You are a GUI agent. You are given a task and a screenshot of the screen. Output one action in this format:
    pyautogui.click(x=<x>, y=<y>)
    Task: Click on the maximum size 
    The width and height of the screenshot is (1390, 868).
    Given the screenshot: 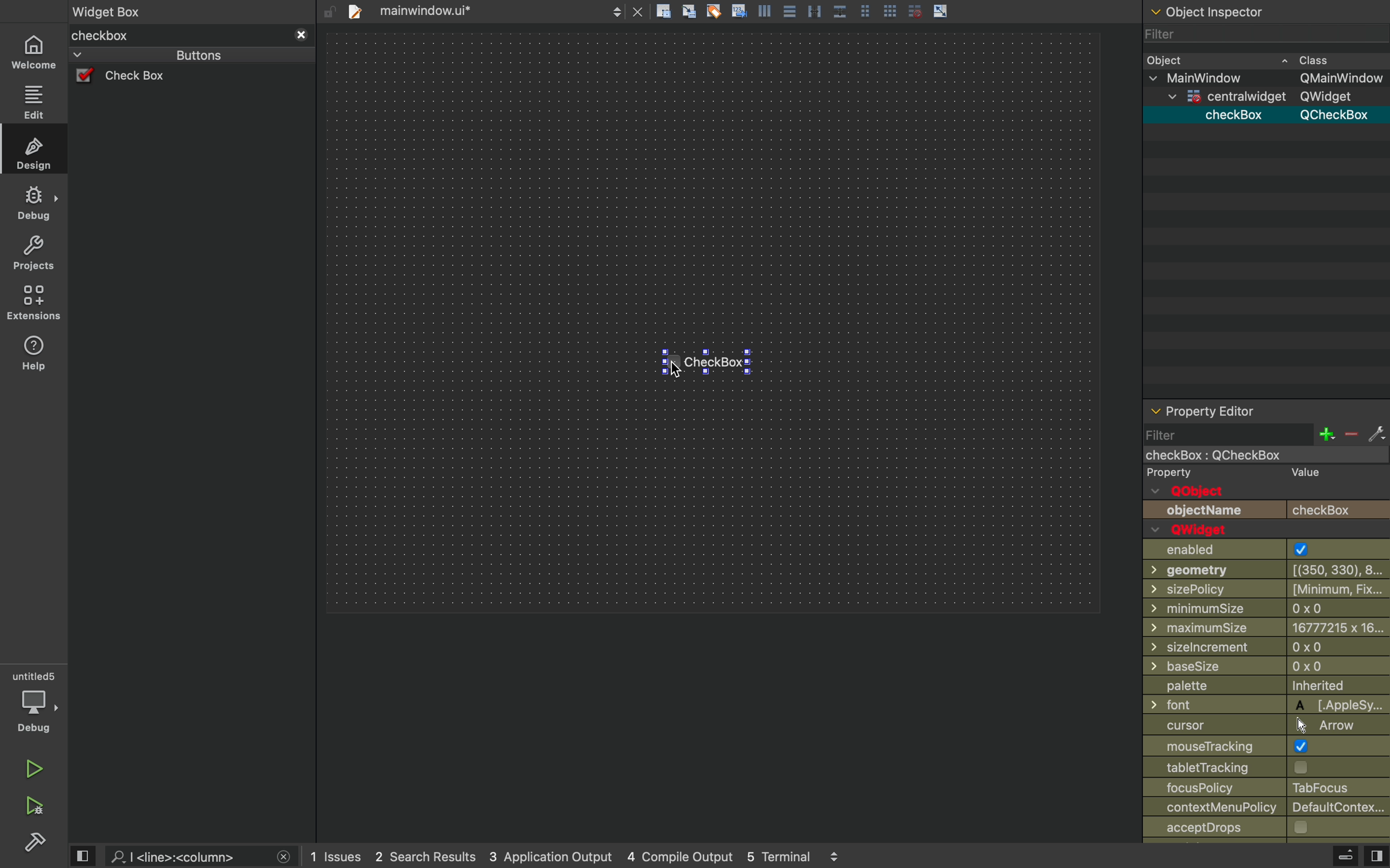 What is the action you would take?
    pyautogui.click(x=1267, y=627)
    